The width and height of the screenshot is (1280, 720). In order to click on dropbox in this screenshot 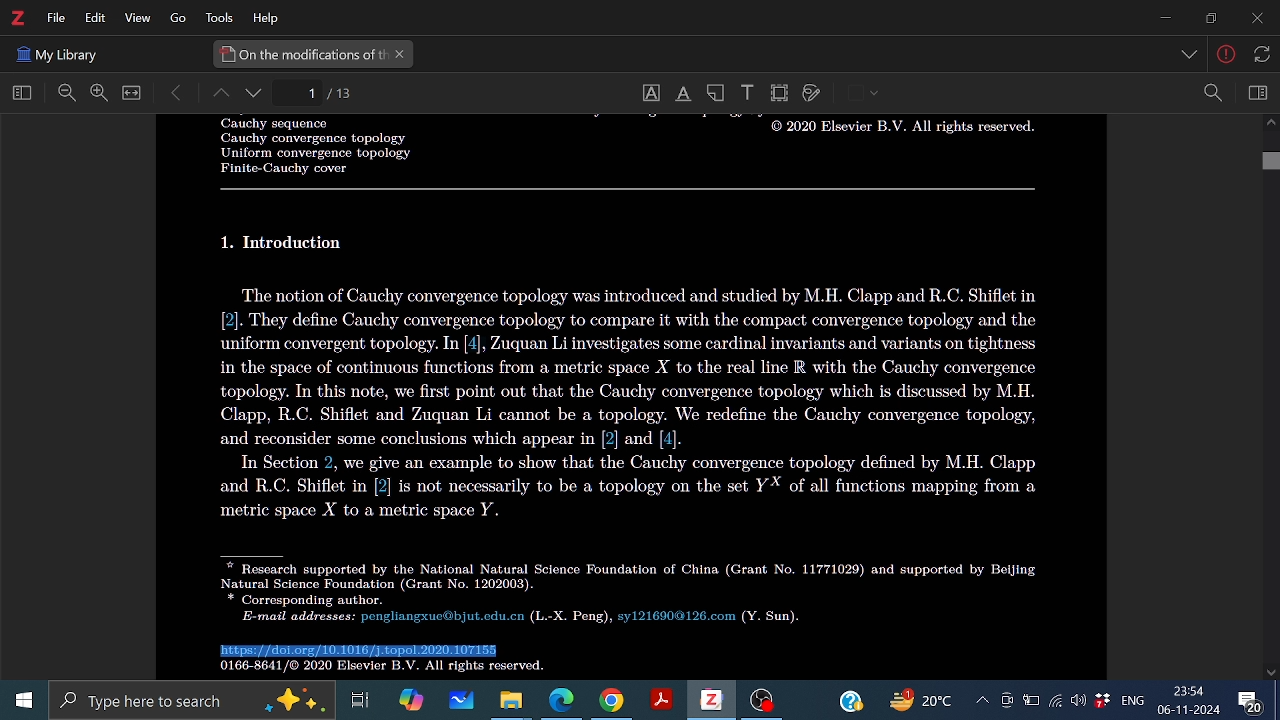, I will do `click(1103, 702)`.